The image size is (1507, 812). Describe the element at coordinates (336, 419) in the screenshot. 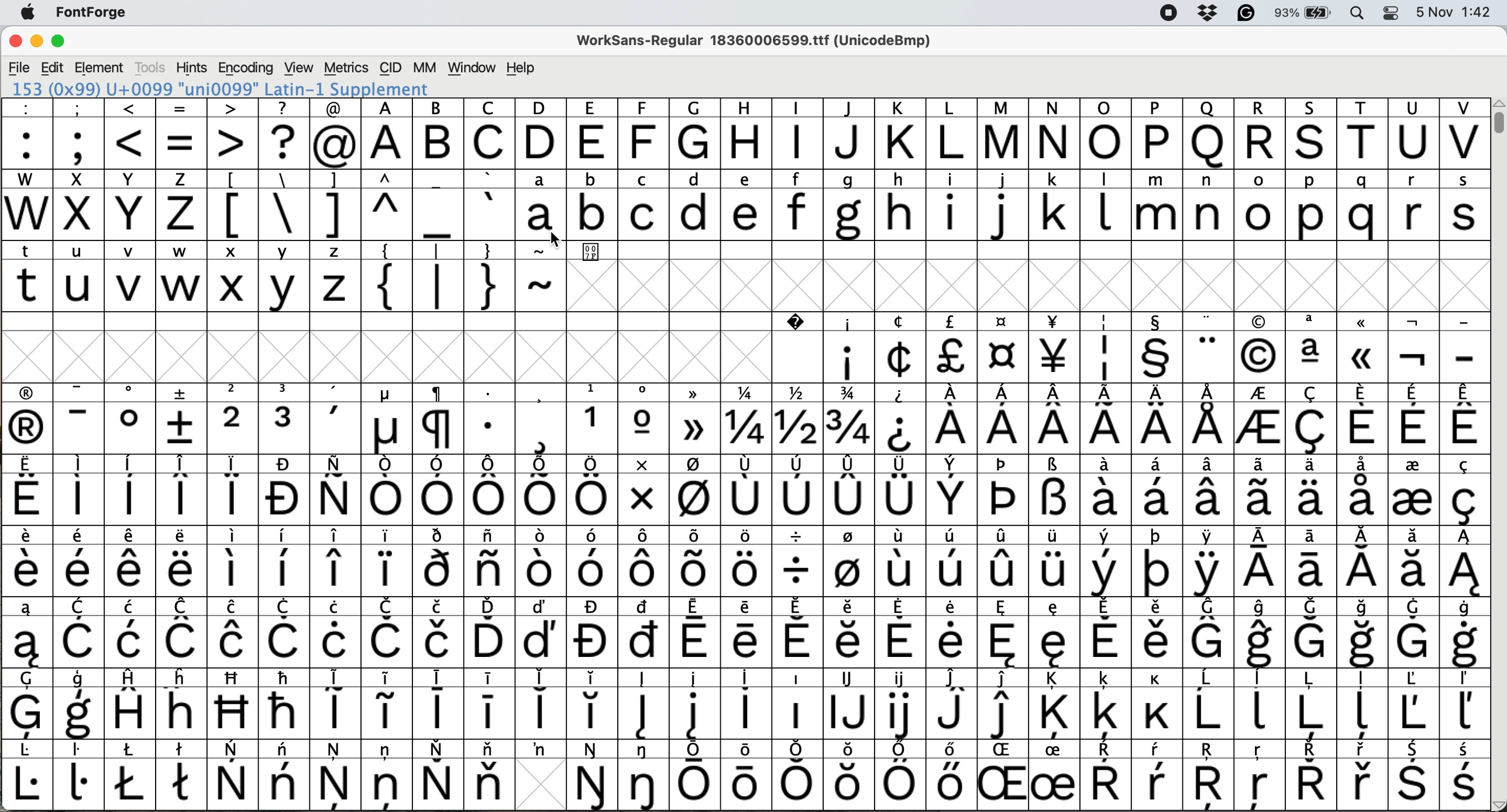

I see `symbol` at that location.